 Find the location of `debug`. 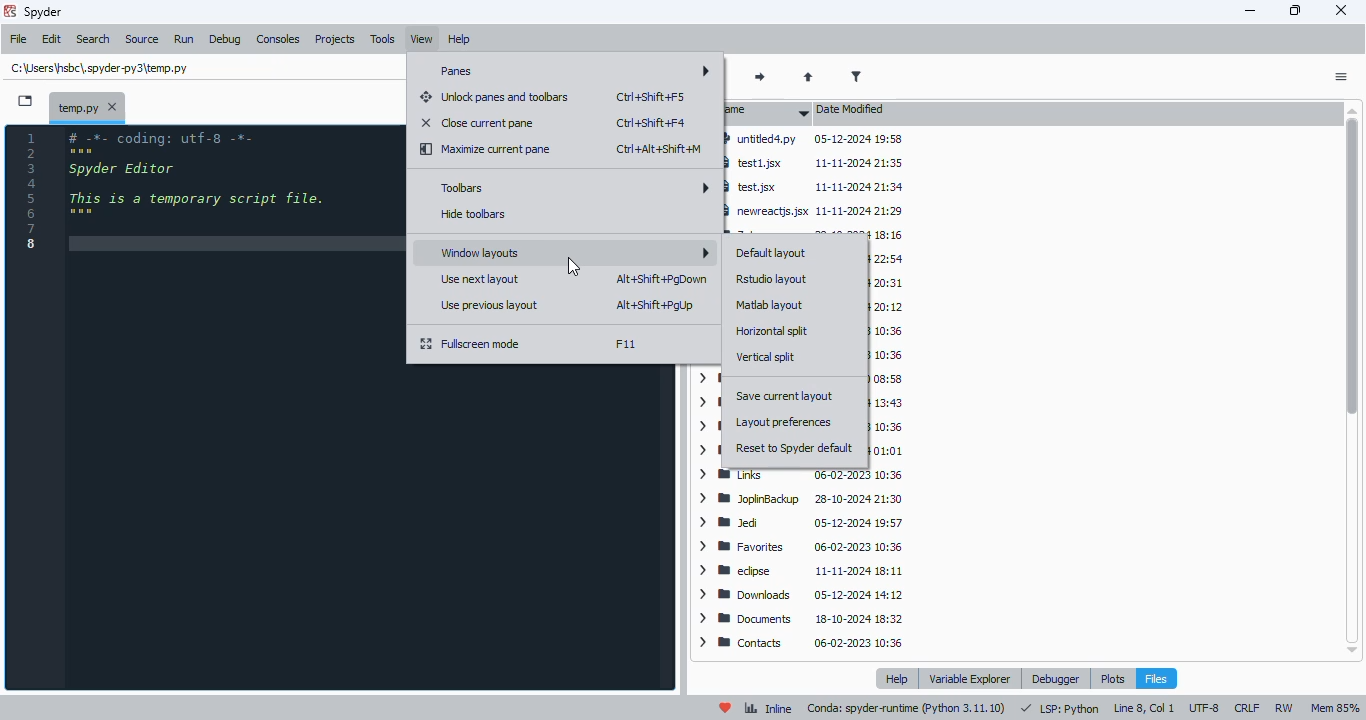

debug is located at coordinates (226, 40).